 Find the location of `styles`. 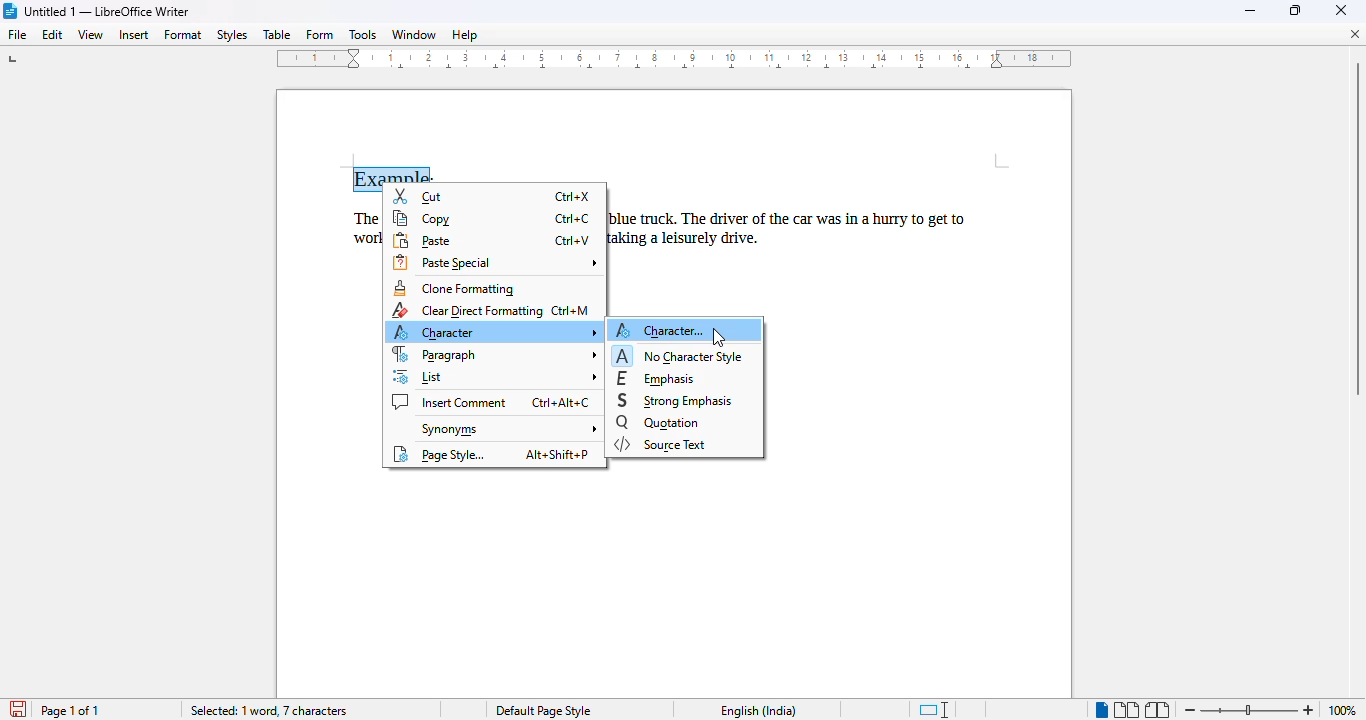

styles is located at coordinates (233, 35).